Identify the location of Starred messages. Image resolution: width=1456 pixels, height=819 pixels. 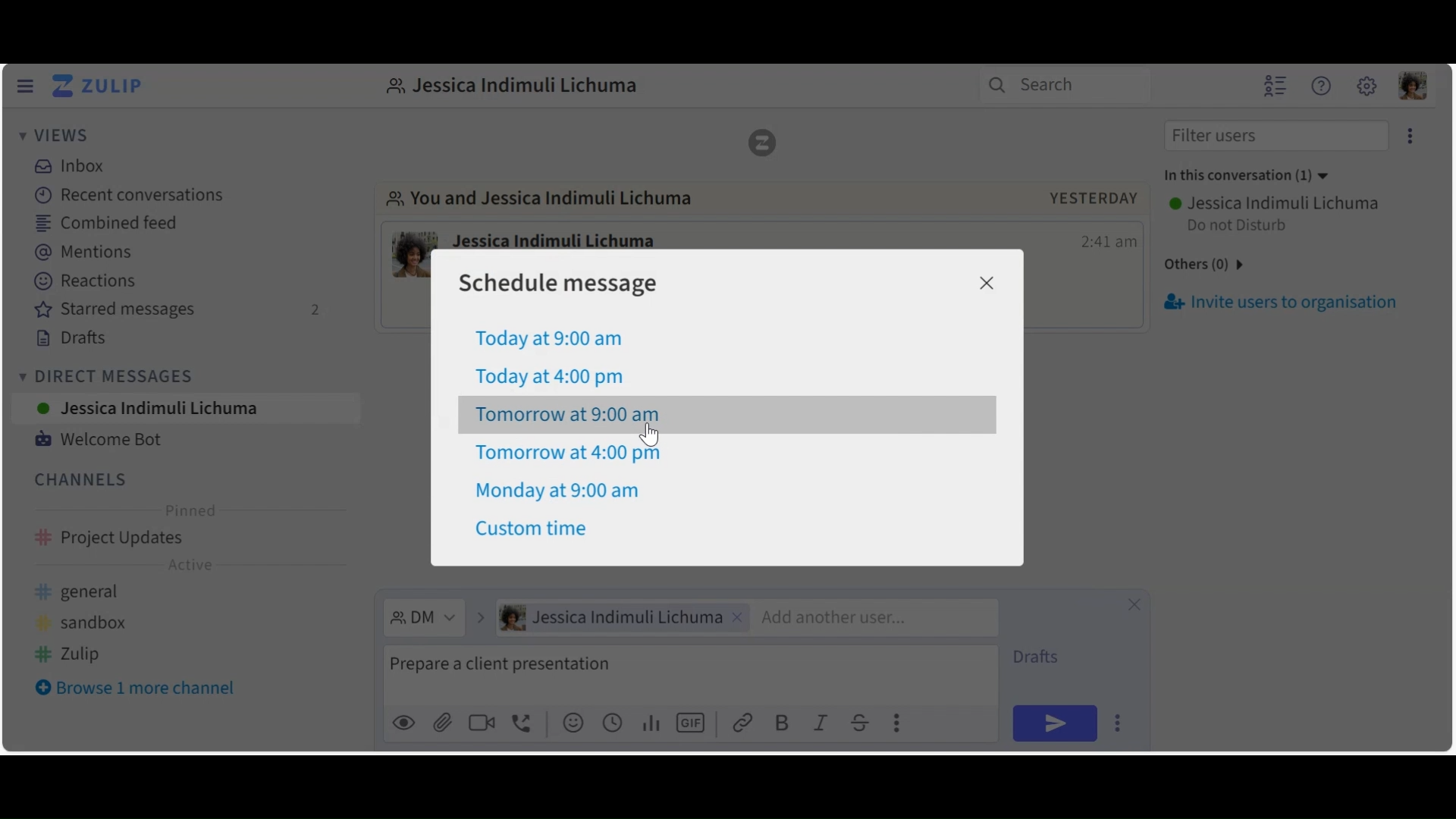
(178, 312).